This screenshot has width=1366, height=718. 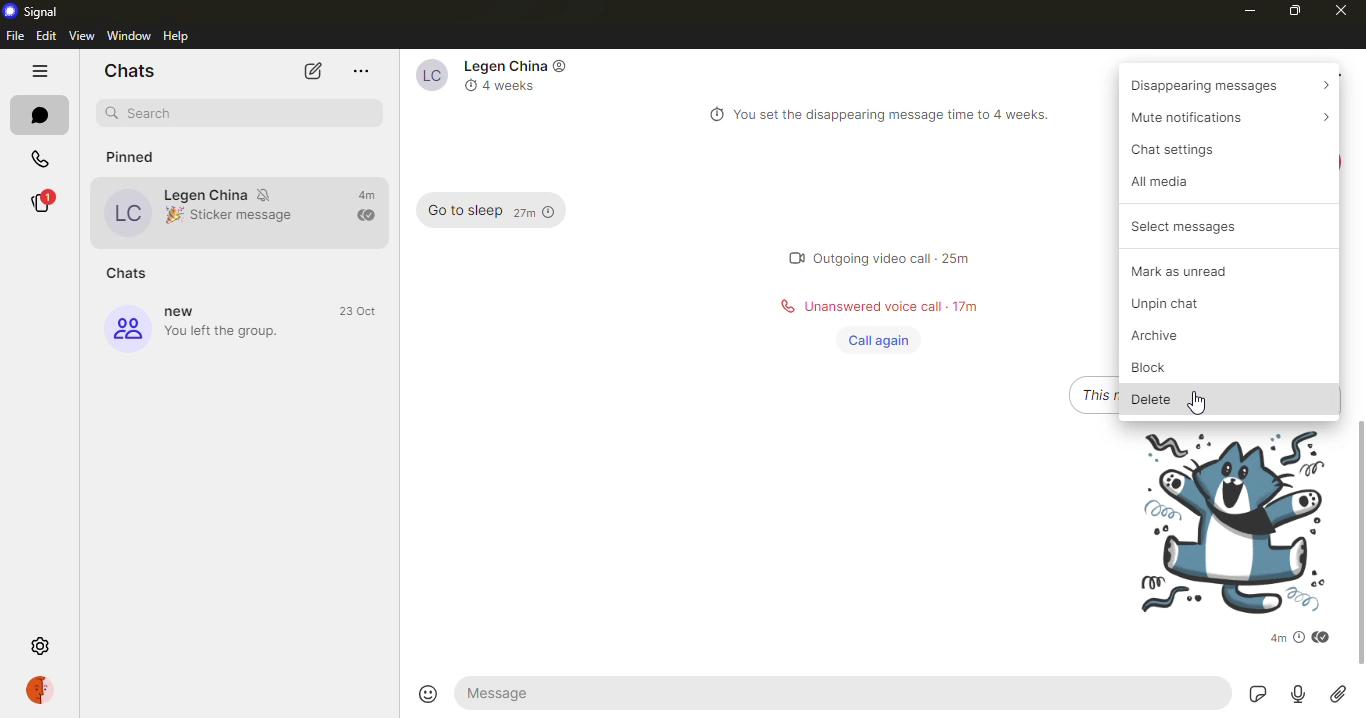 I want to click on profile, so click(x=129, y=211).